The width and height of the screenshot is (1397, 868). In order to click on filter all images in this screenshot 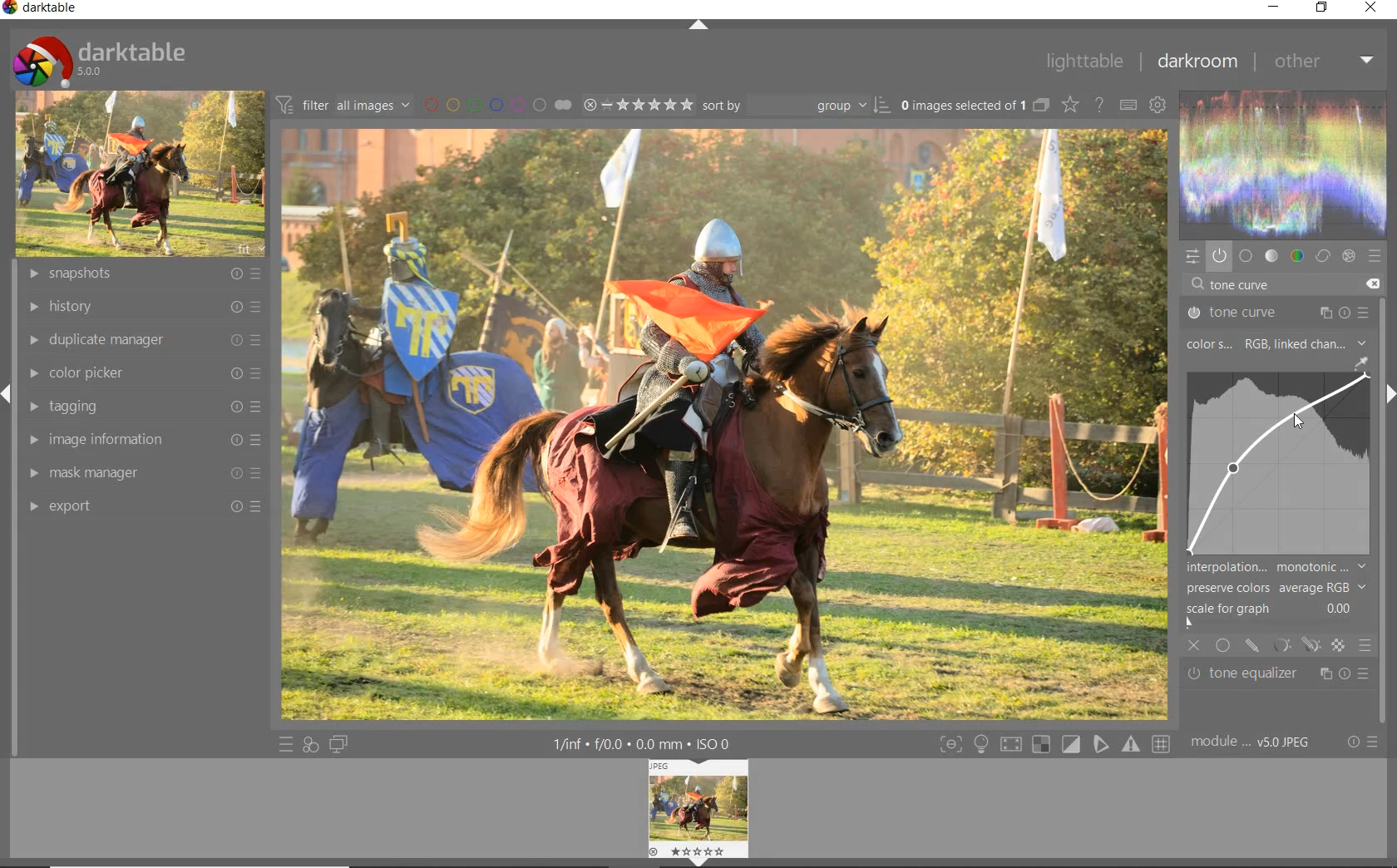, I will do `click(343, 105)`.